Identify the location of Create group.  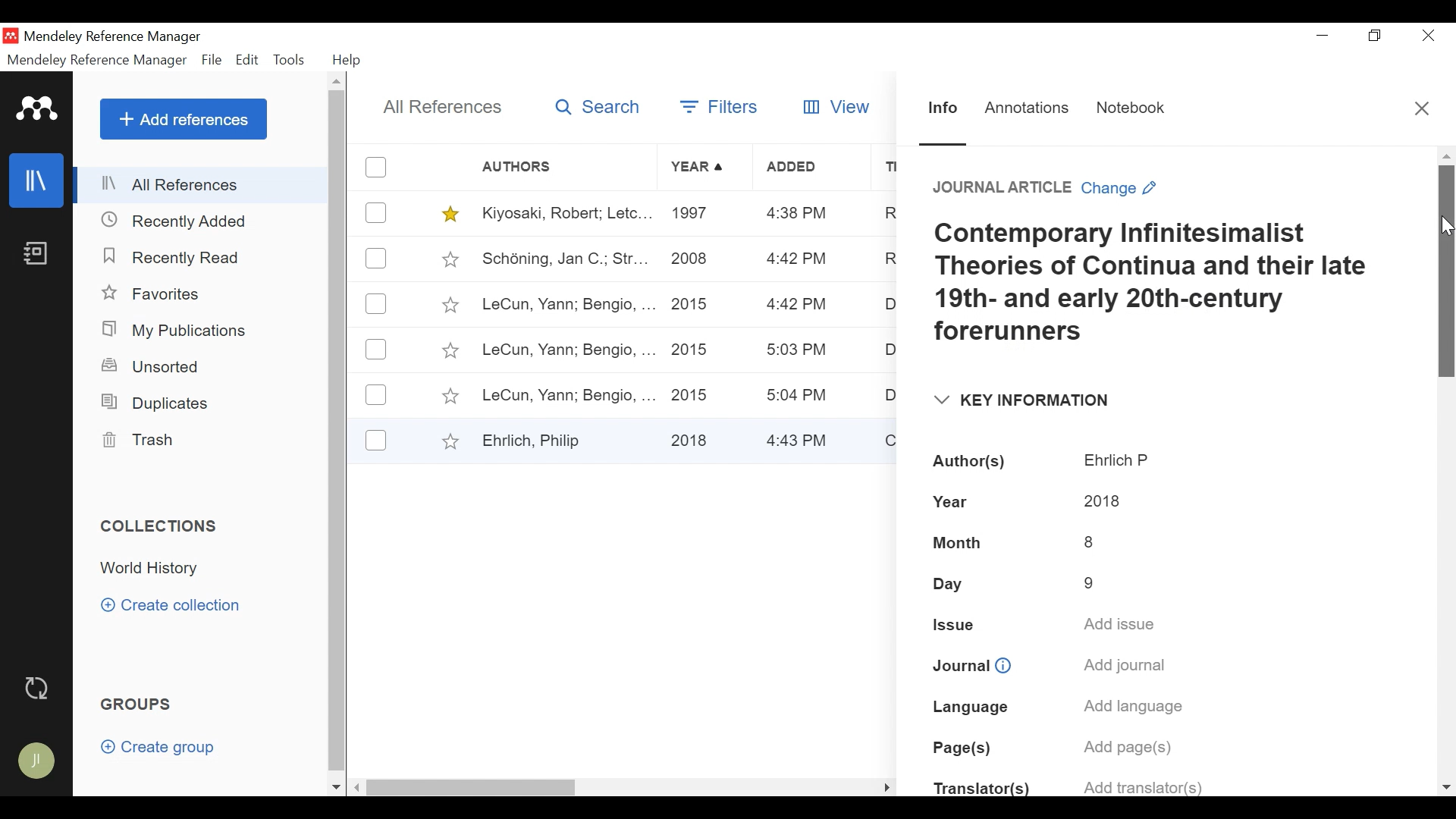
(158, 746).